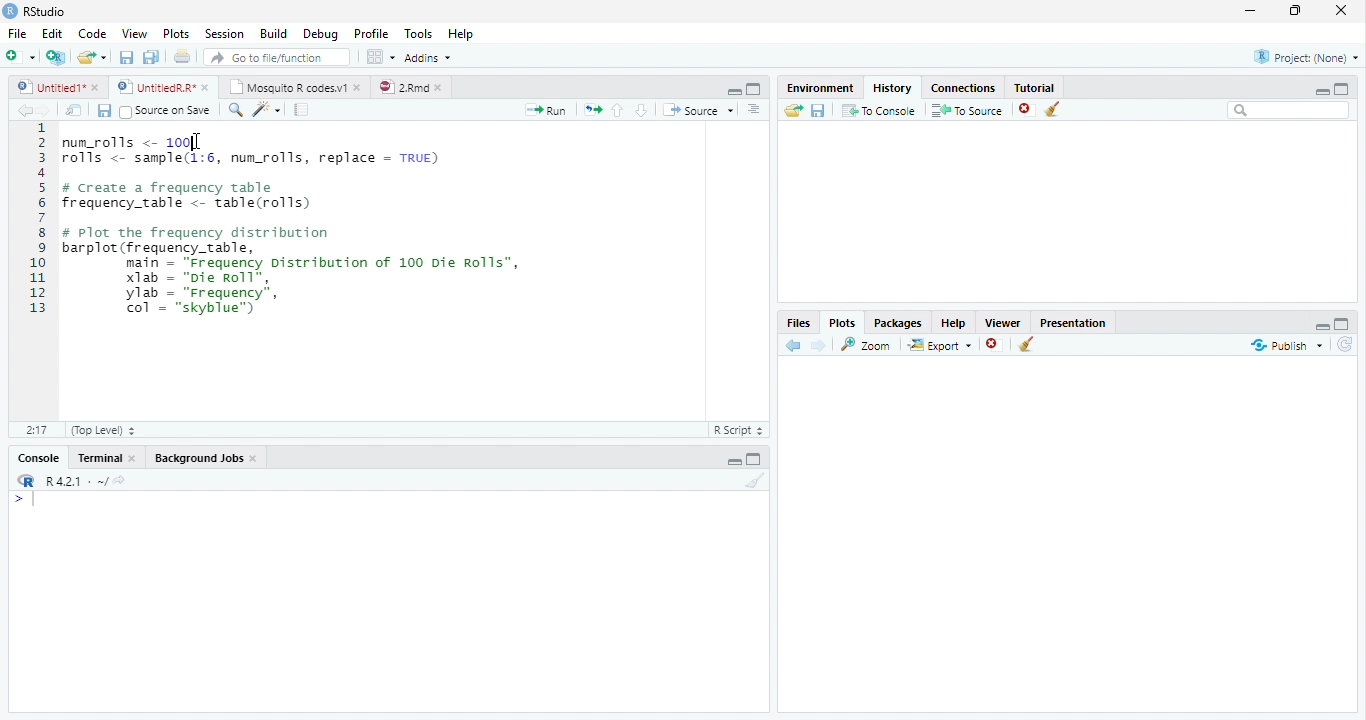 This screenshot has width=1366, height=720. Describe the element at coordinates (732, 91) in the screenshot. I see `Hide` at that location.